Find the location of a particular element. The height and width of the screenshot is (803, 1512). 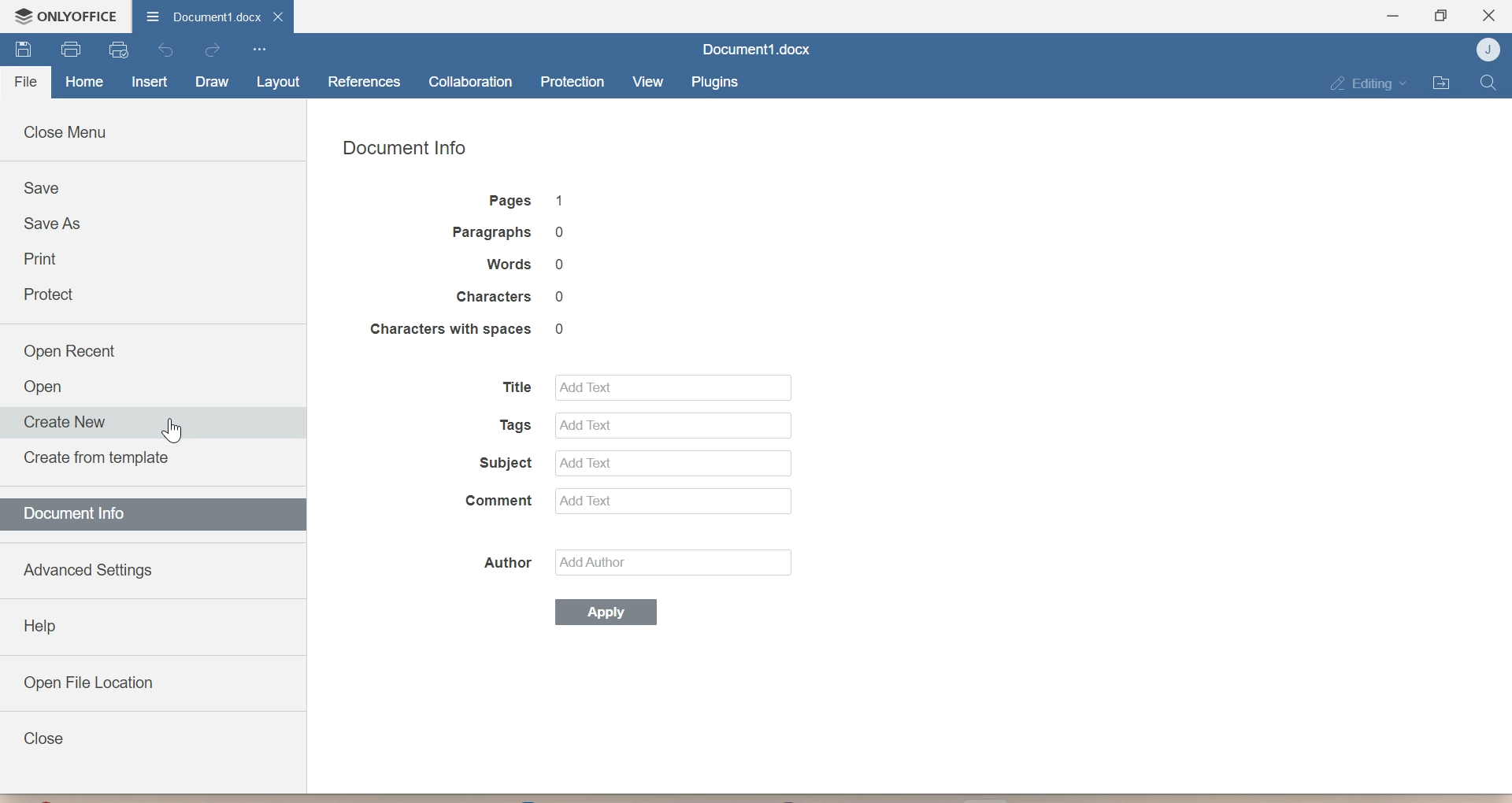

Words 0 is located at coordinates (528, 265).